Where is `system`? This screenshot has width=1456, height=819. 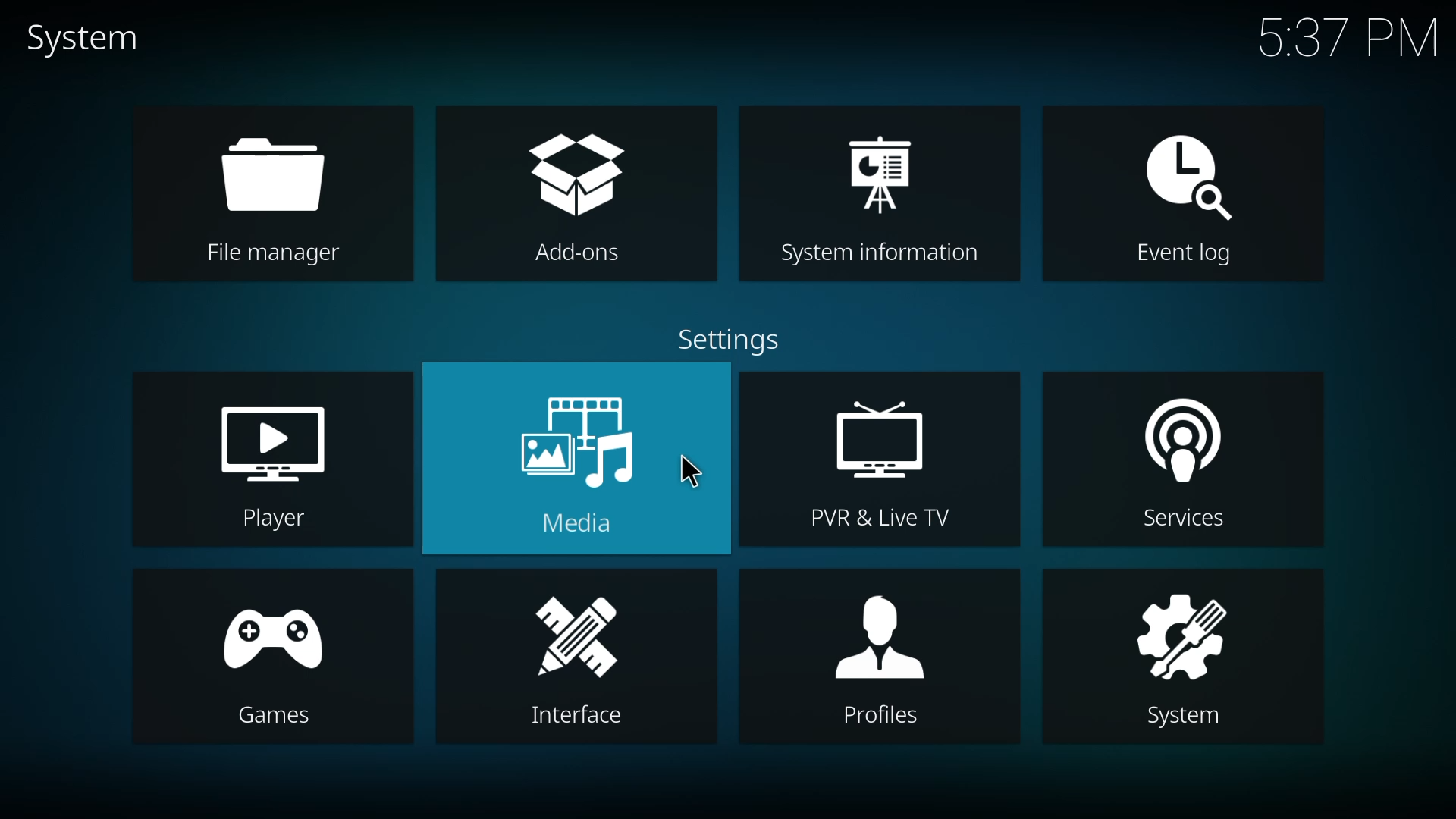 system is located at coordinates (1172, 634).